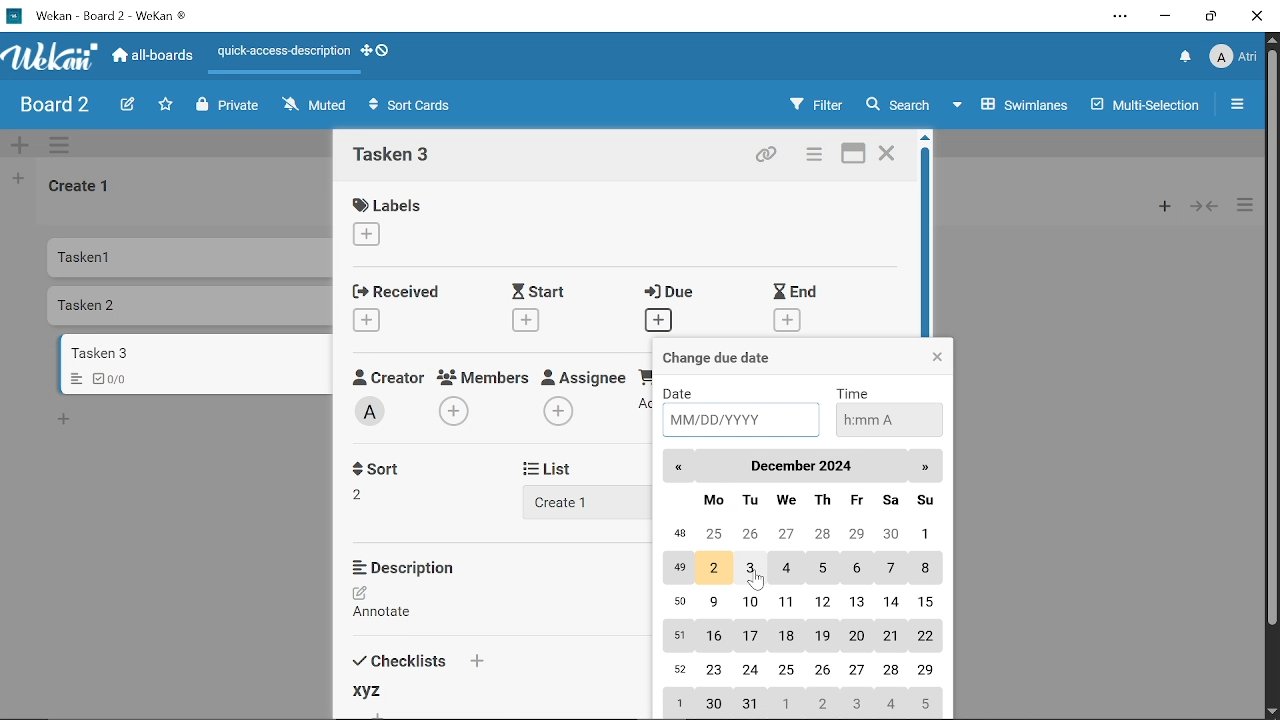 This screenshot has height=720, width=1280. What do you see at coordinates (936, 358) in the screenshot?
I see `Close` at bounding box center [936, 358].